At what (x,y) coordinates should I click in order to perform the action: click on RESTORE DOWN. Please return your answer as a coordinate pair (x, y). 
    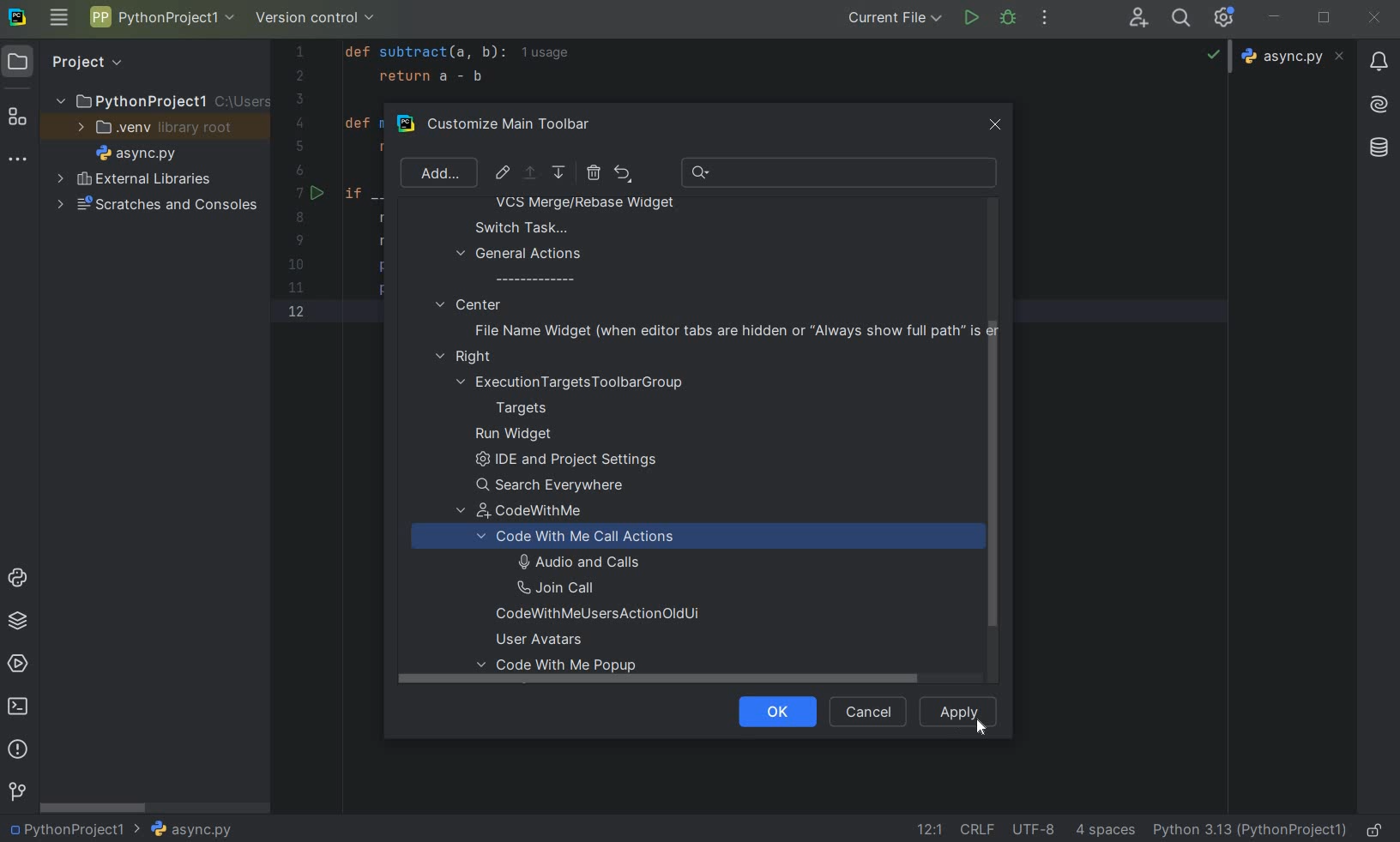
    Looking at the image, I should click on (1325, 15).